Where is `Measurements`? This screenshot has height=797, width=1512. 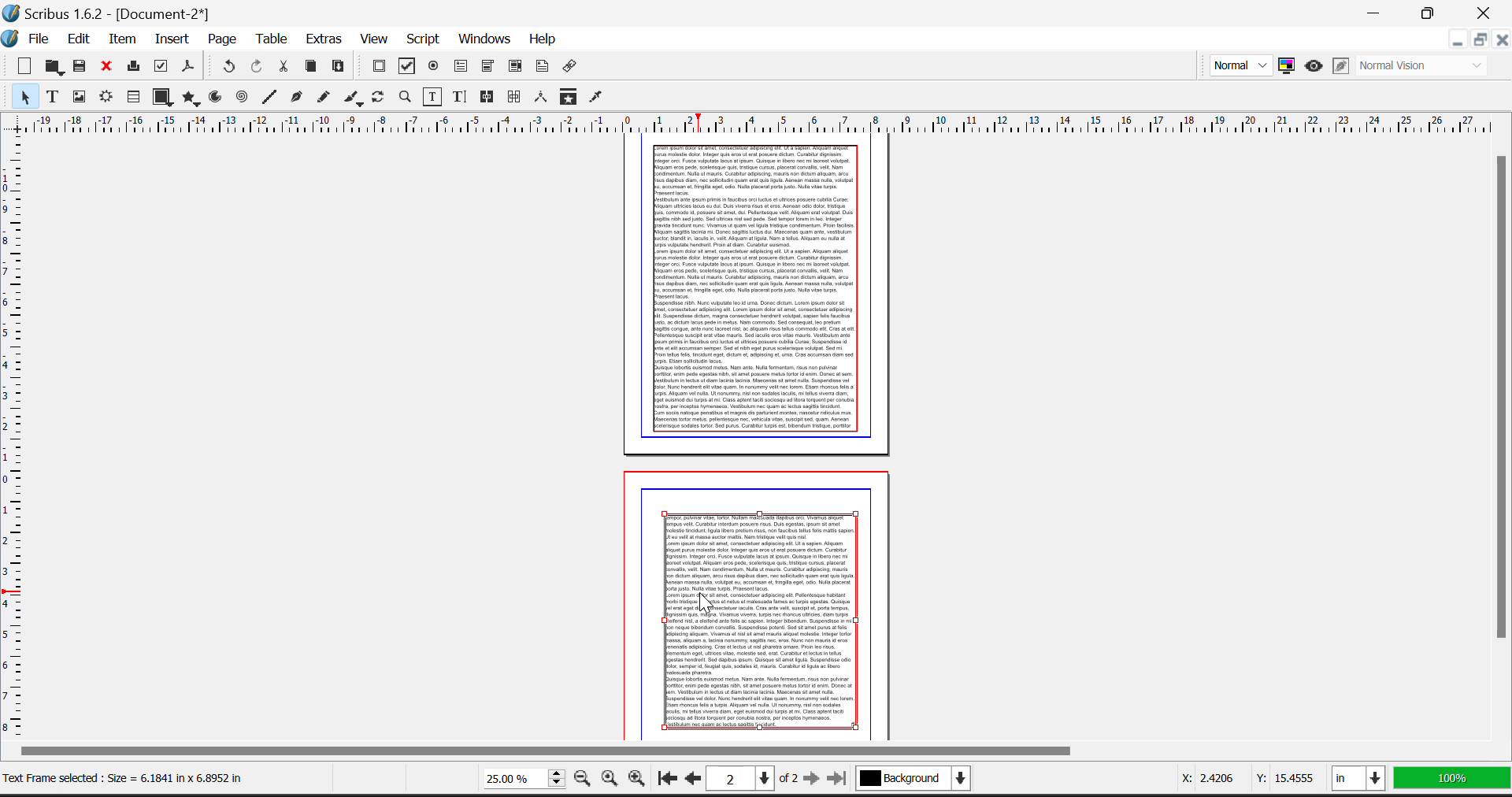 Measurements is located at coordinates (542, 98).